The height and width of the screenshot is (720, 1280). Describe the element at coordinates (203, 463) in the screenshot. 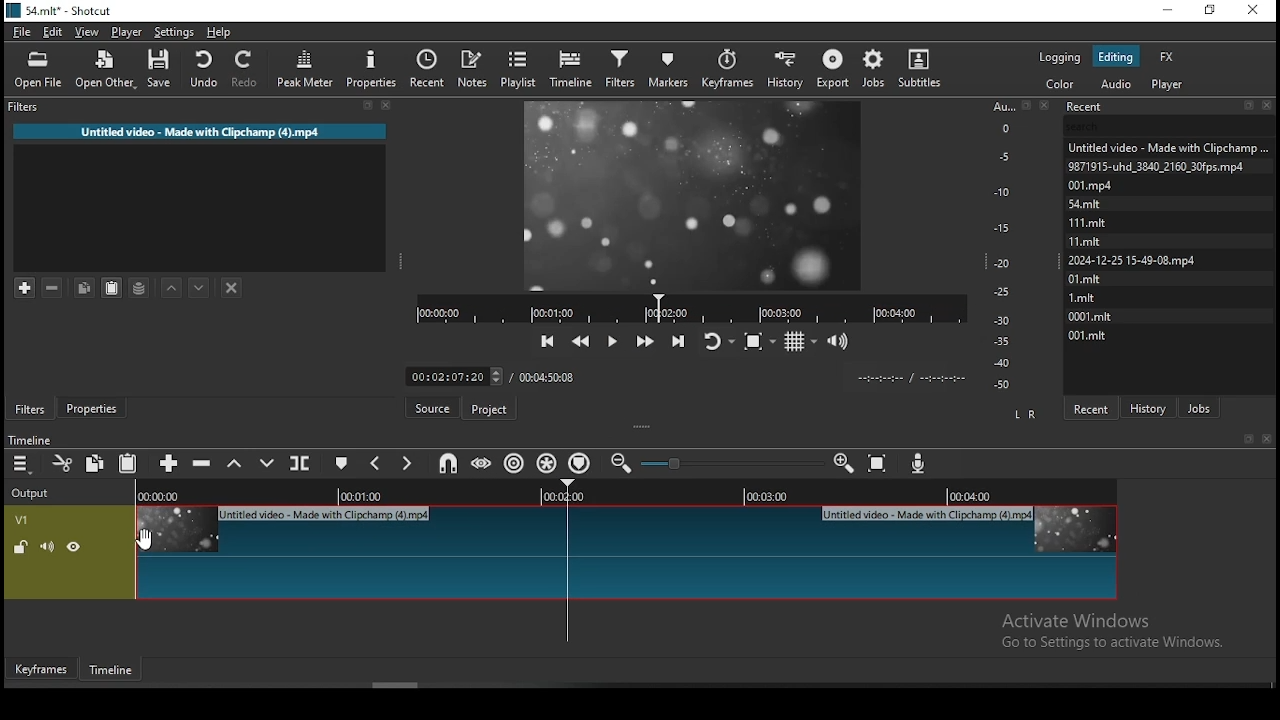

I see `ripple delete` at that location.